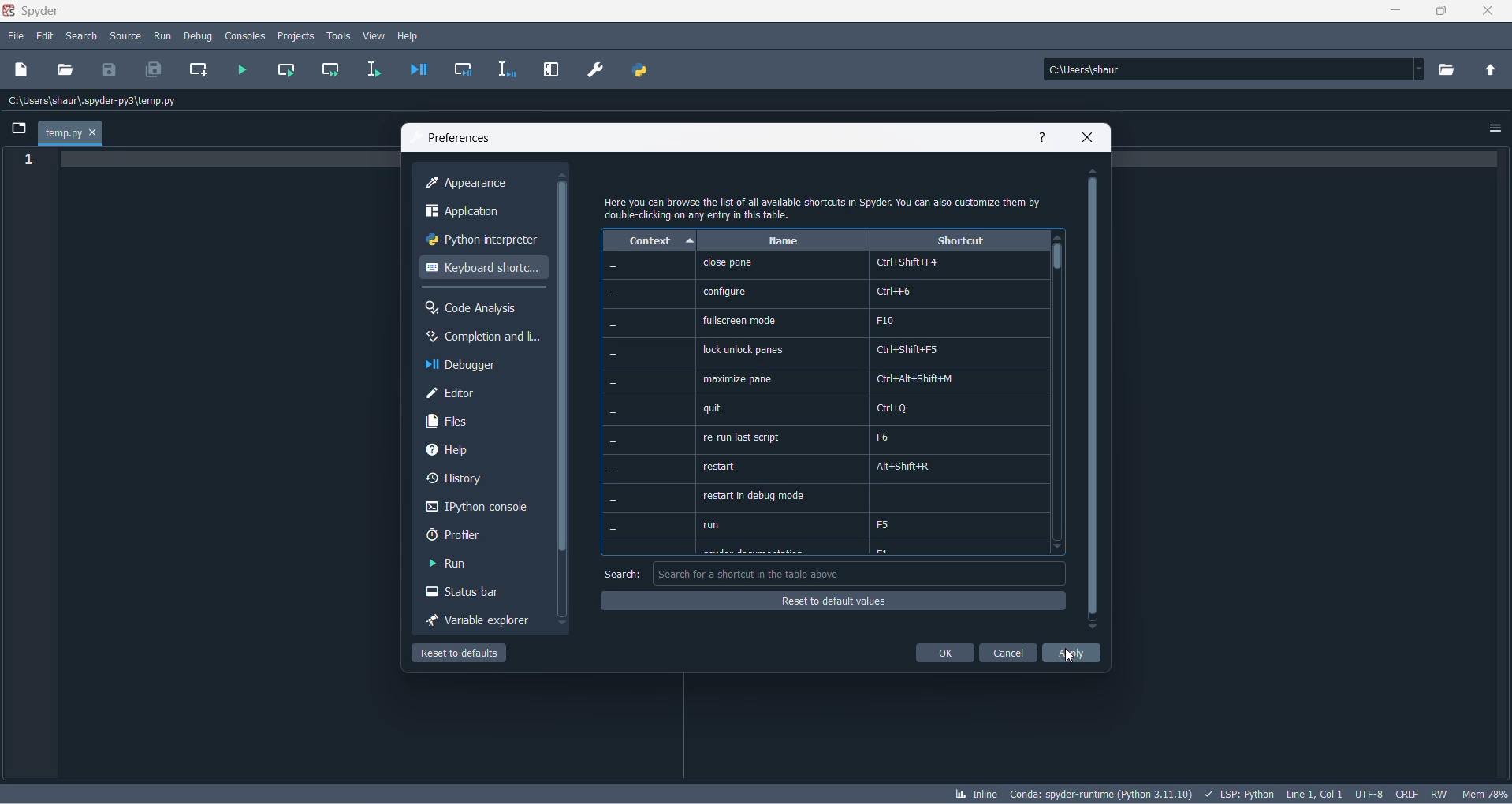  What do you see at coordinates (46, 36) in the screenshot?
I see `edit` at bounding box center [46, 36].